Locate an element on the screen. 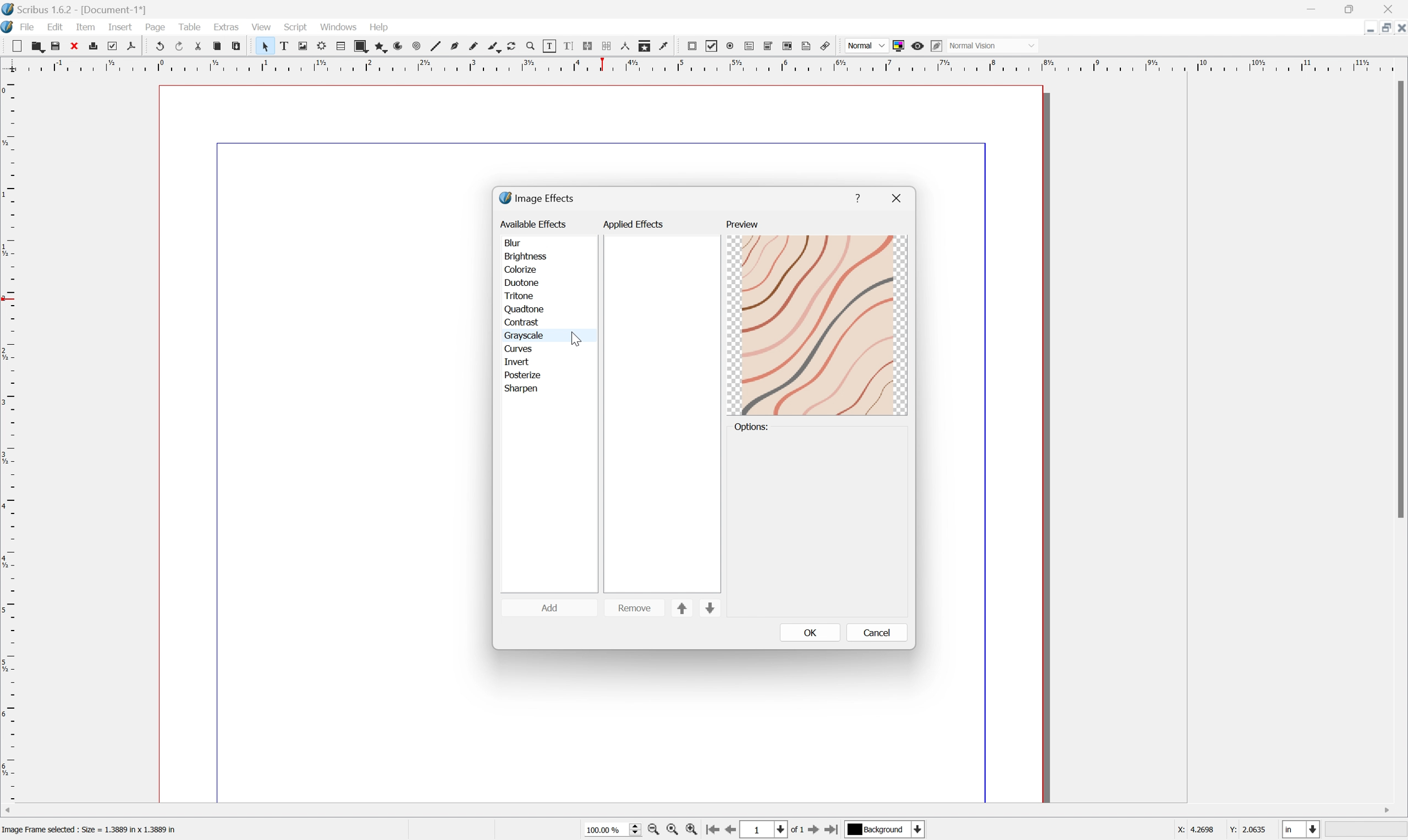 This screenshot has height=840, width=1408. New is located at coordinates (38, 48).